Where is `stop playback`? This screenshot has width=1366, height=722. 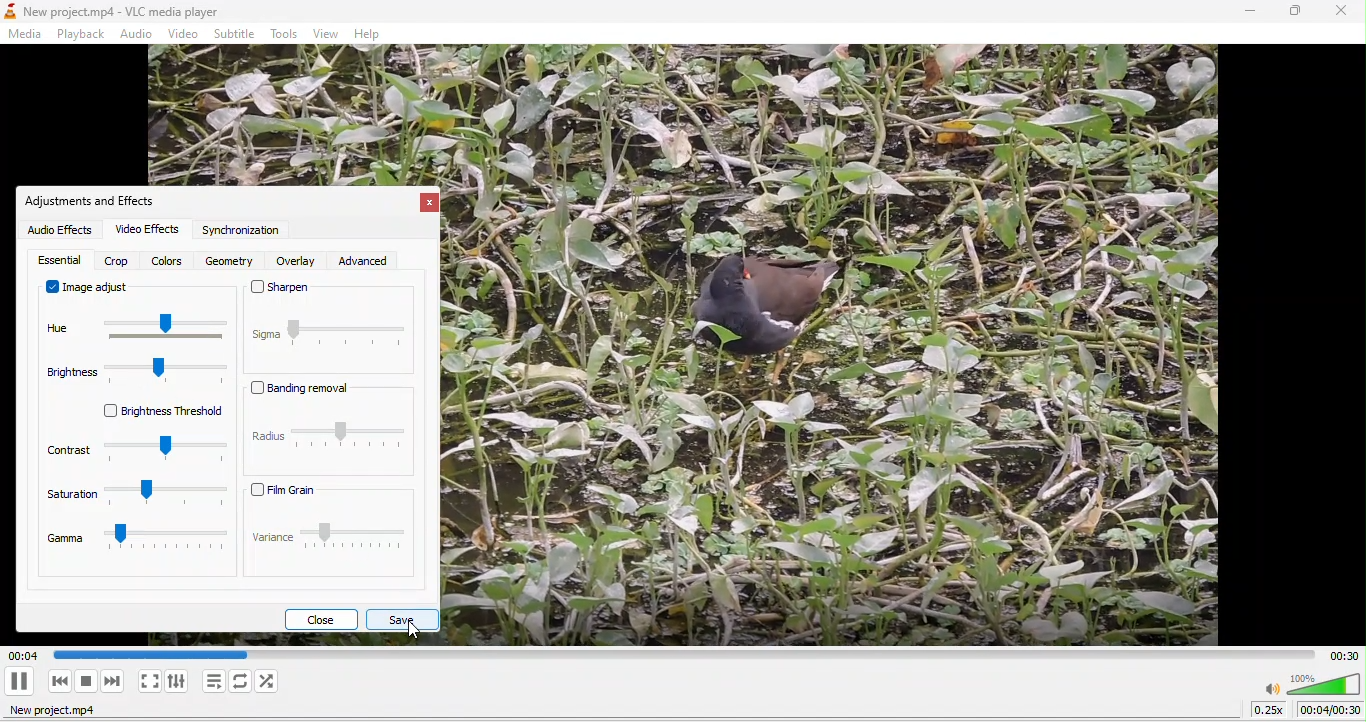
stop playback is located at coordinates (88, 685).